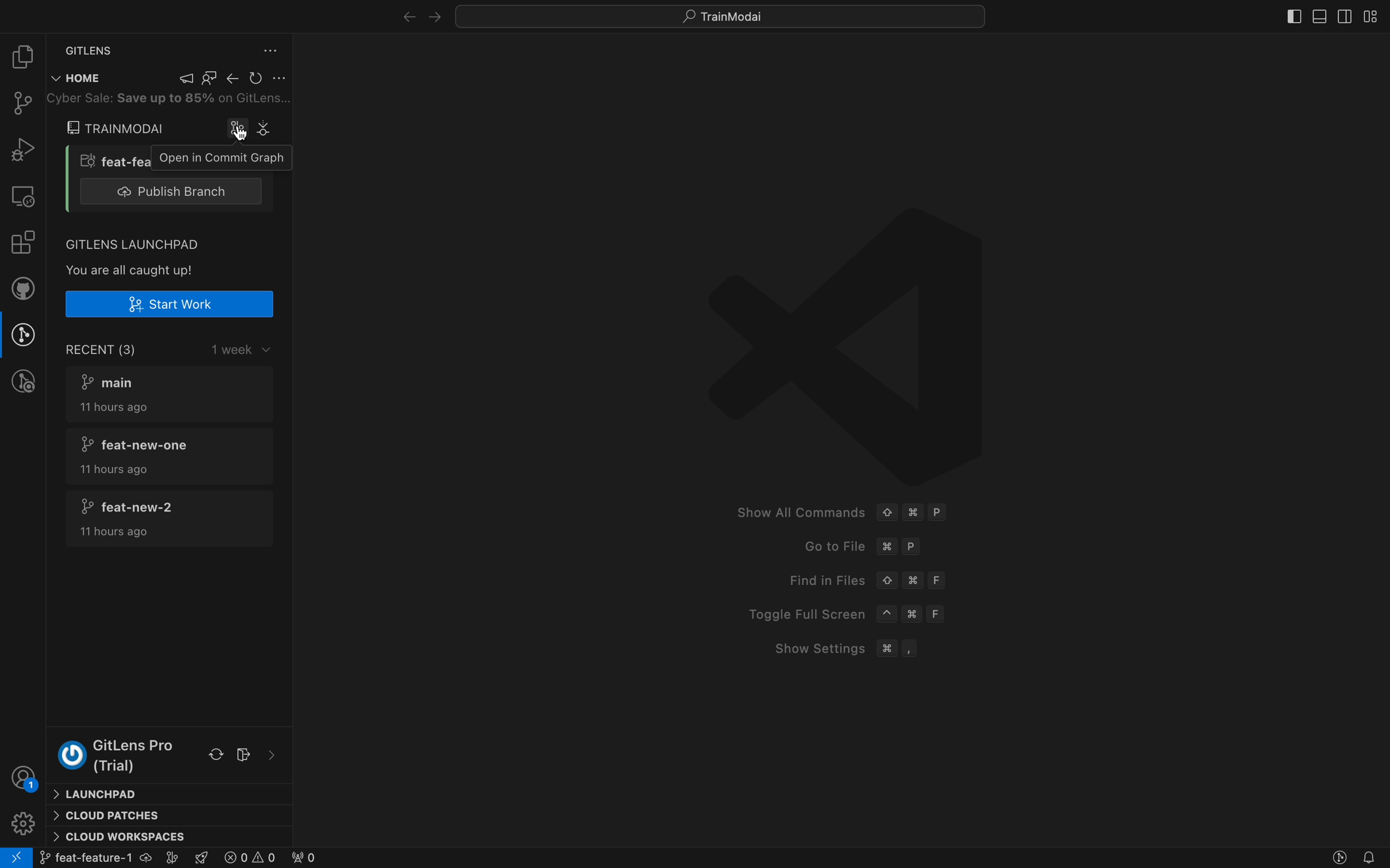 The width and height of the screenshot is (1390, 868). Describe the element at coordinates (21, 150) in the screenshot. I see `debugger` at that location.